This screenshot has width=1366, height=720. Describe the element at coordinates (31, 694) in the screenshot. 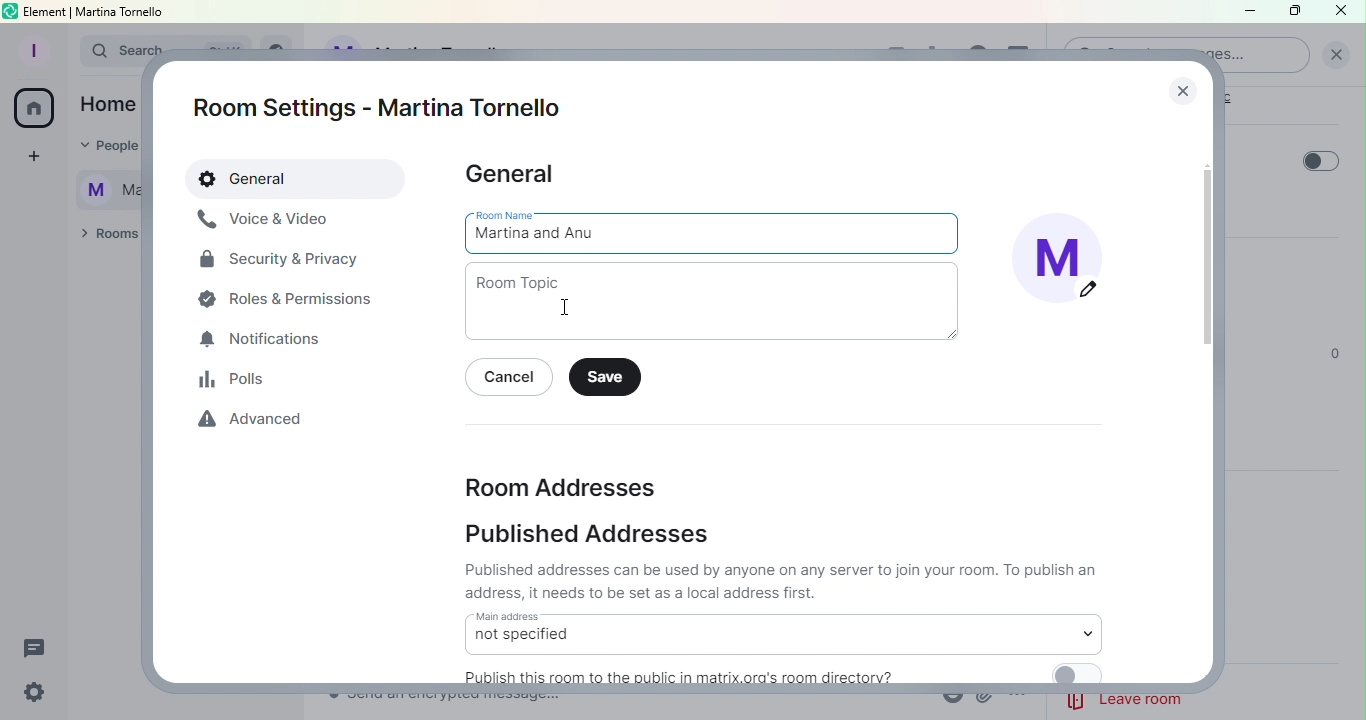

I see `Quick settings` at that location.